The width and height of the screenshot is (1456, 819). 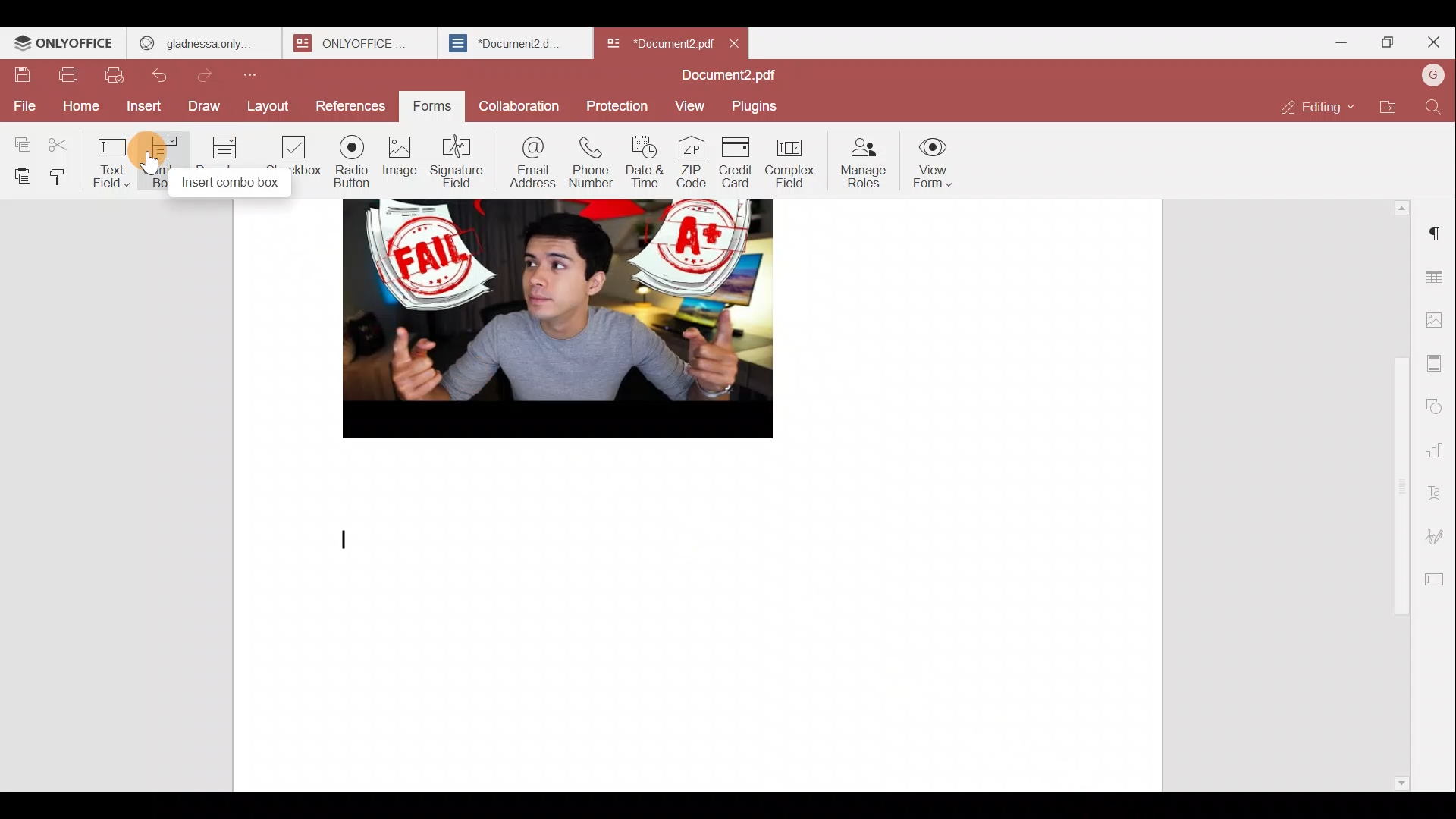 I want to click on Editing mode, so click(x=1316, y=108).